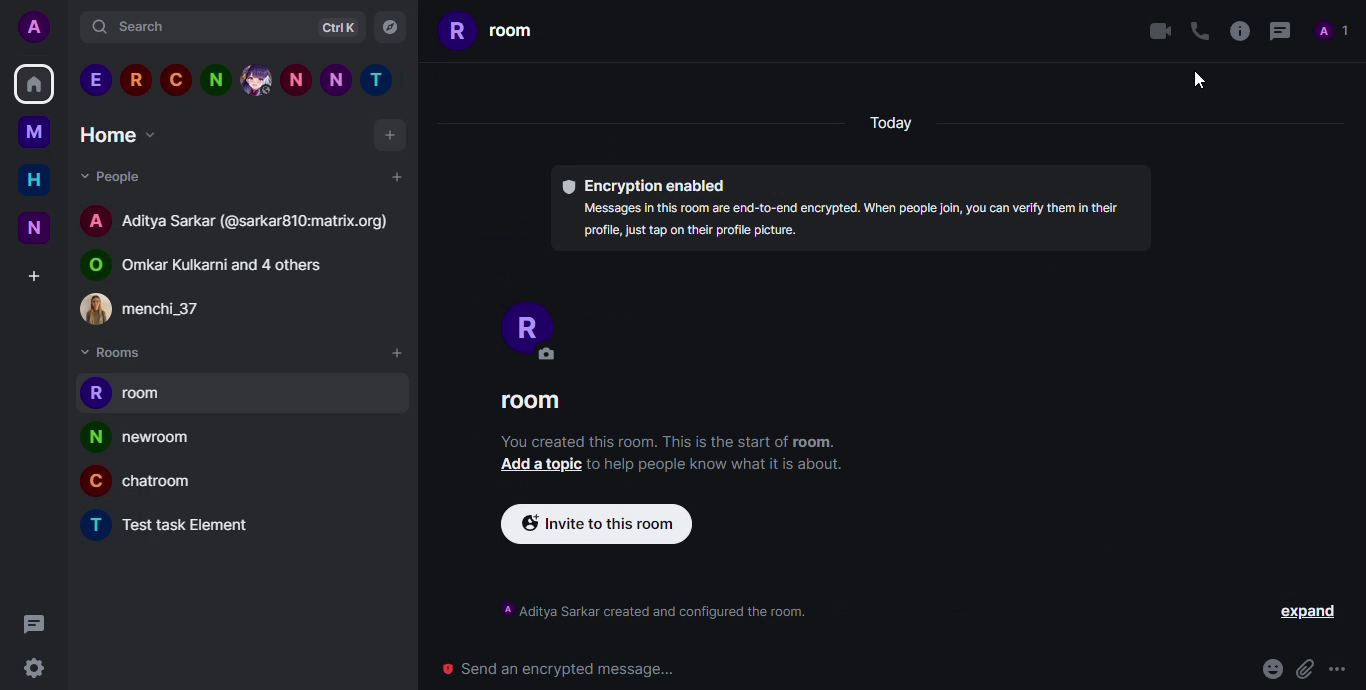  Describe the element at coordinates (336, 79) in the screenshot. I see `people 7` at that location.